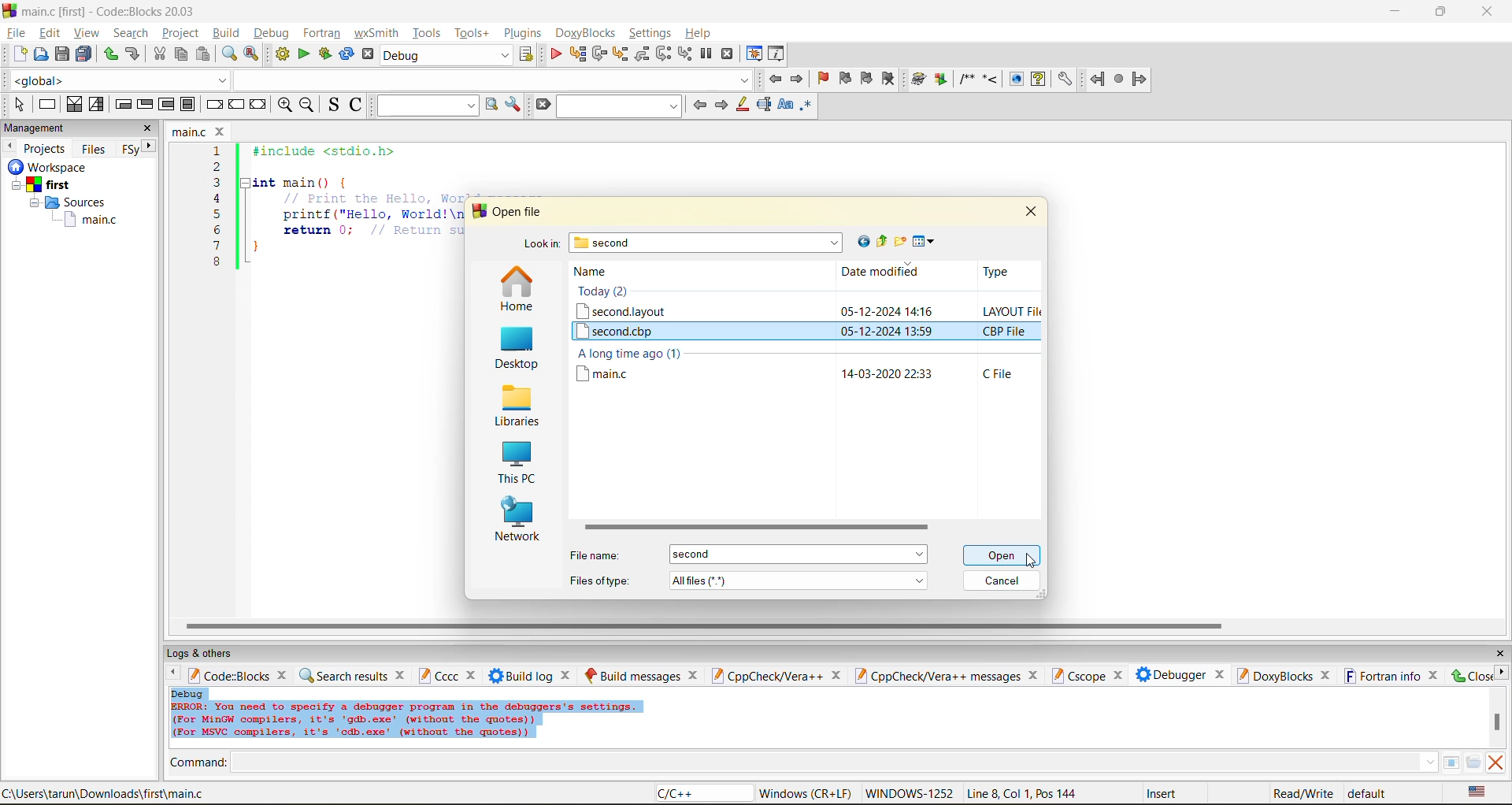  I want to click on debug/continue, so click(555, 54).